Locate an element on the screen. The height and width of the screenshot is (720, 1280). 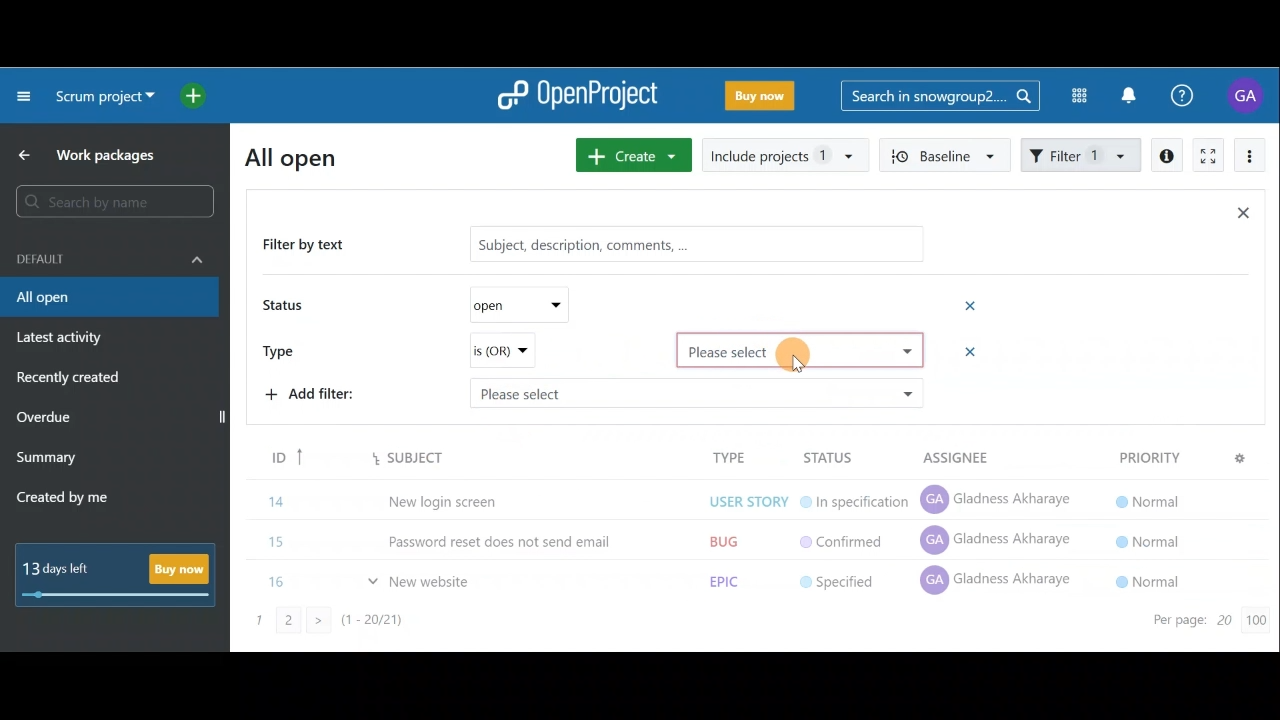
Search bar is located at coordinates (118, 201).